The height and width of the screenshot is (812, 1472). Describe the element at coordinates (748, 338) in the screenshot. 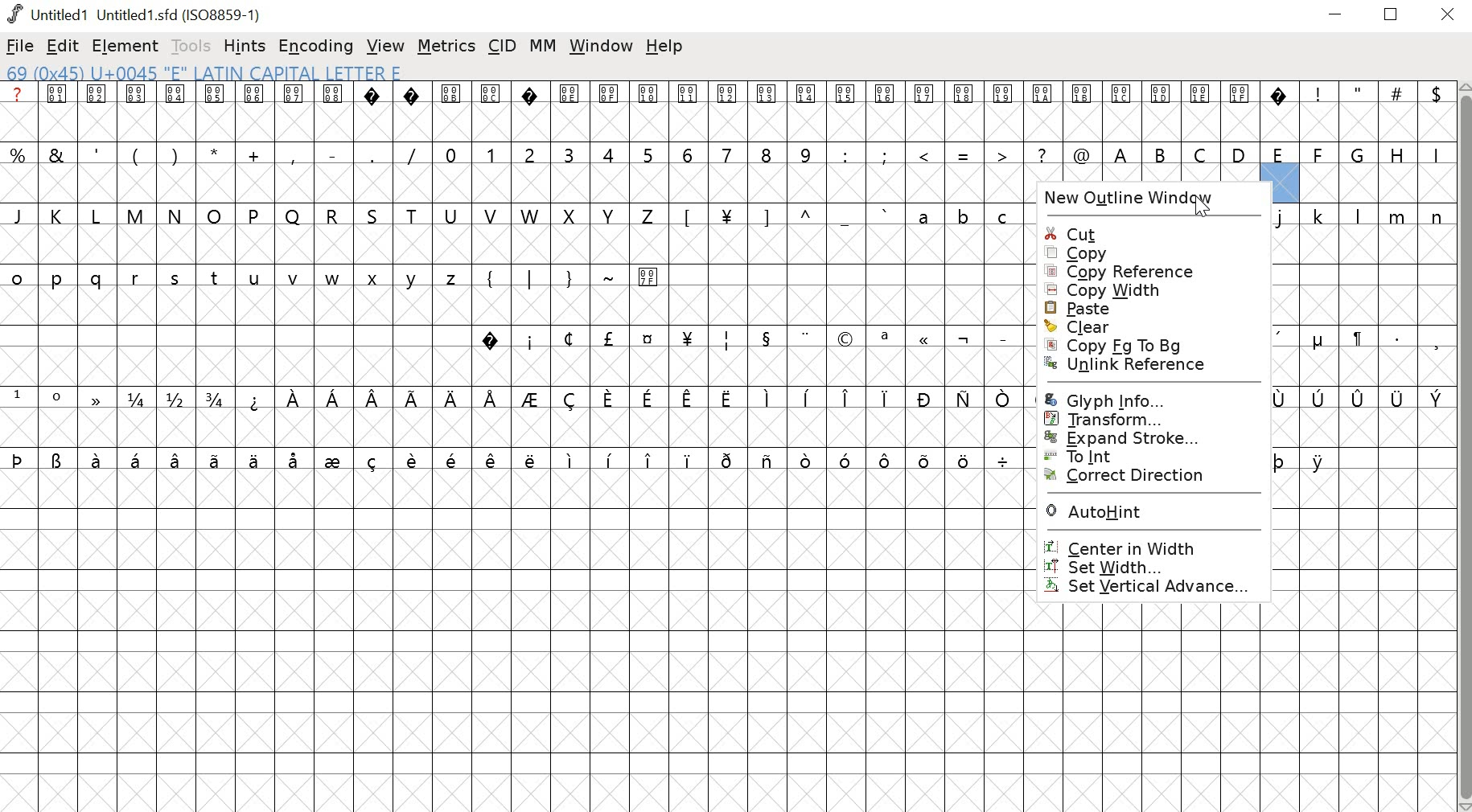

I see `special characters` at that location.